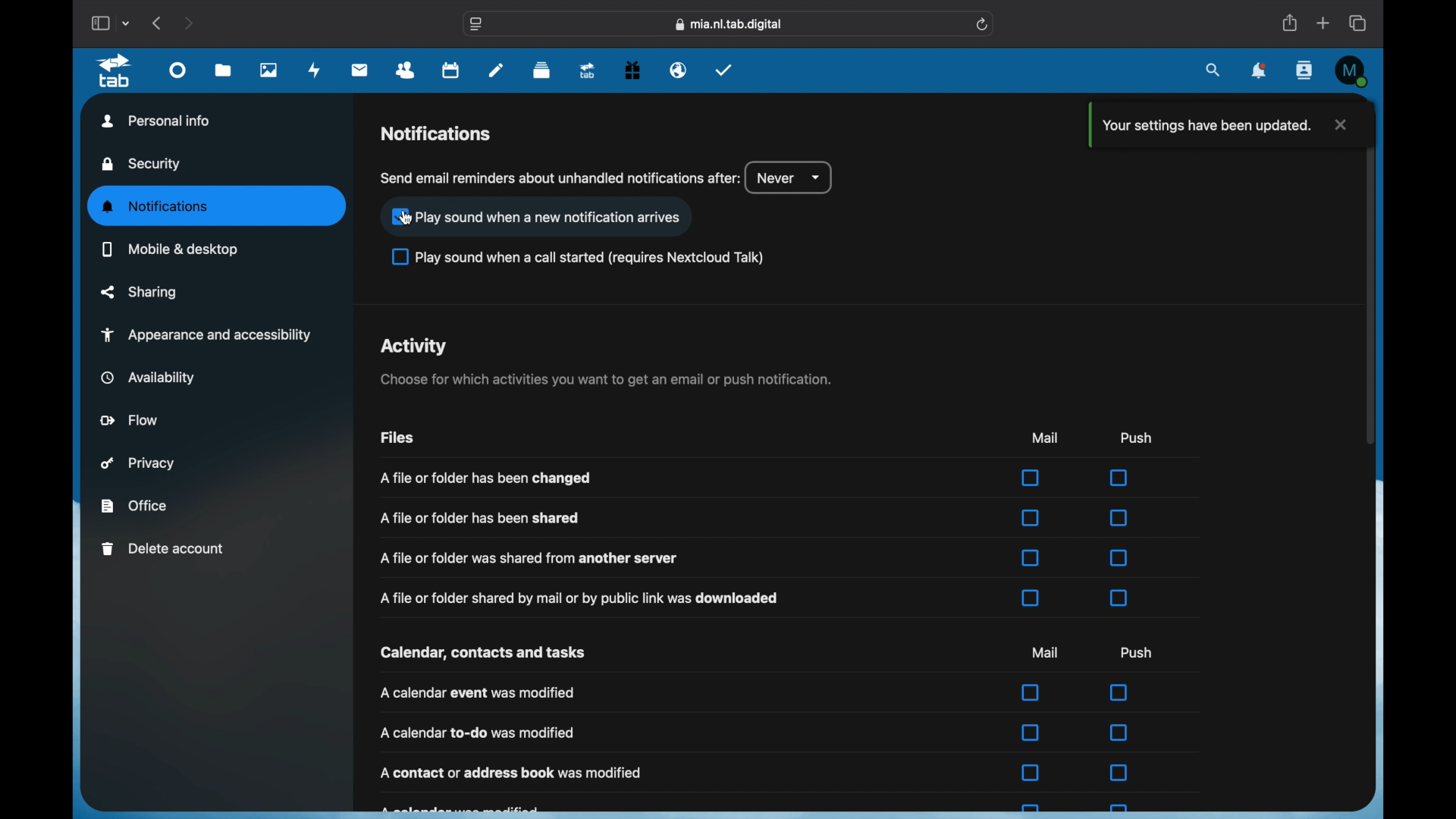 This screenshot has height=819, width=1456. I want to click on checkbox, so click(579, 258).